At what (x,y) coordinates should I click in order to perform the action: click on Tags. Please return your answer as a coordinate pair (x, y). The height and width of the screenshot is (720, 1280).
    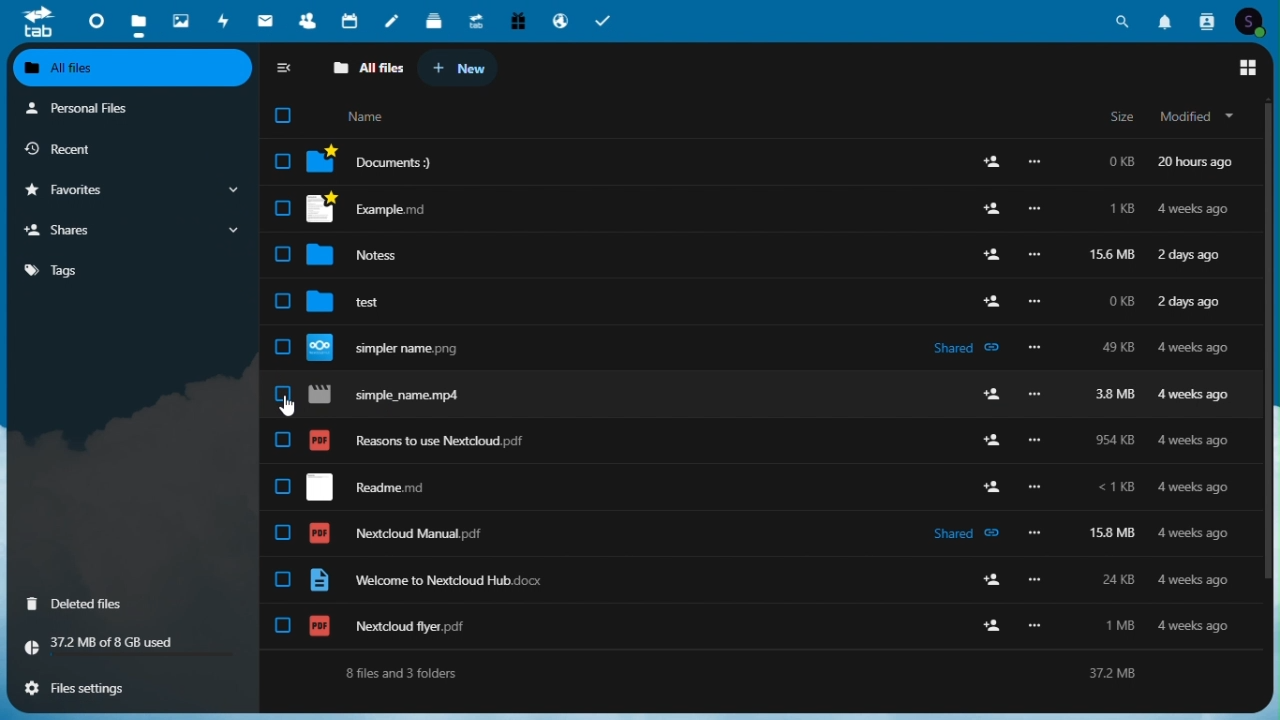
    Looking at the image, I should click on (128, 269).